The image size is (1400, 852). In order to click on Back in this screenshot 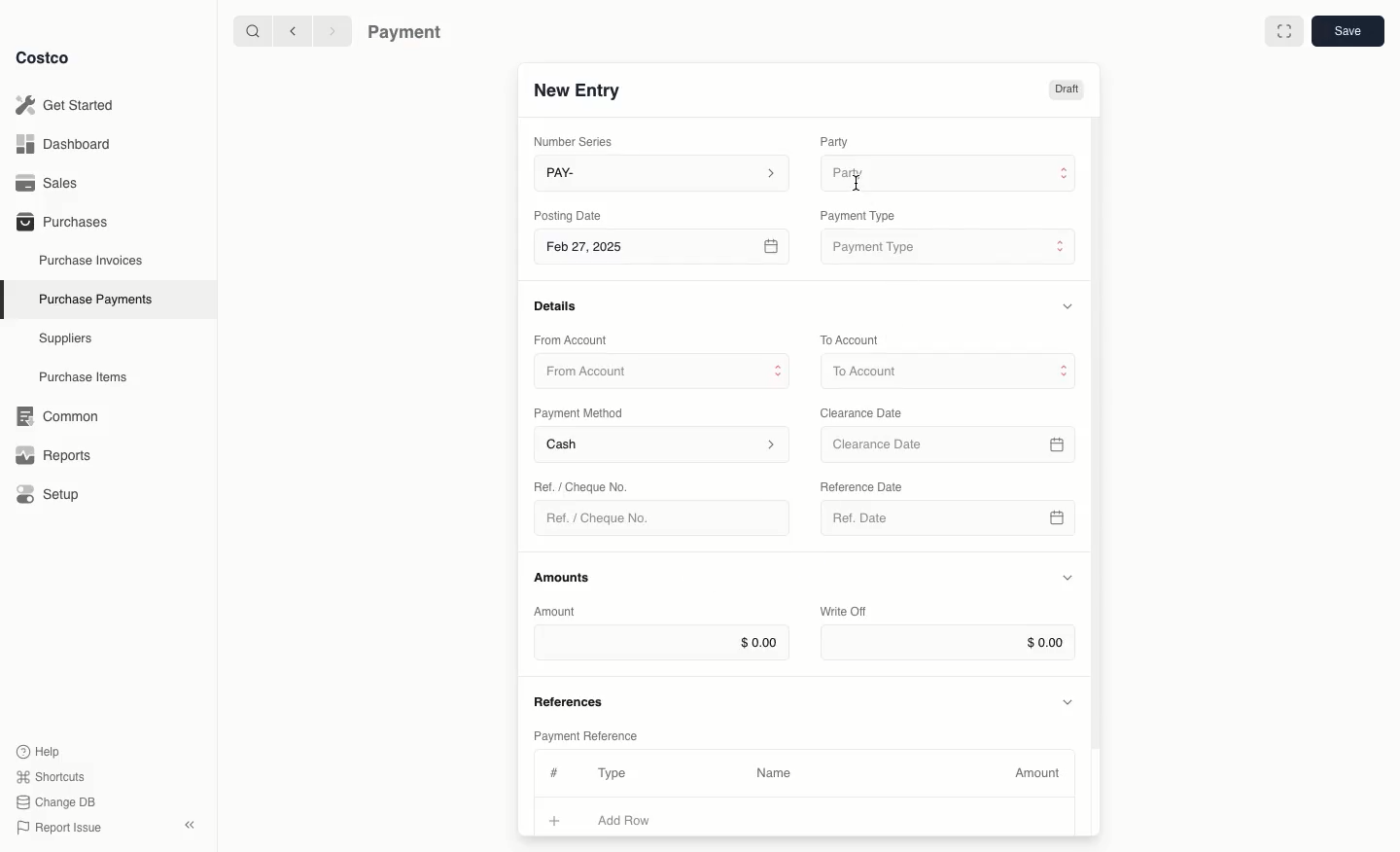, I will do `click(293, 30)`.